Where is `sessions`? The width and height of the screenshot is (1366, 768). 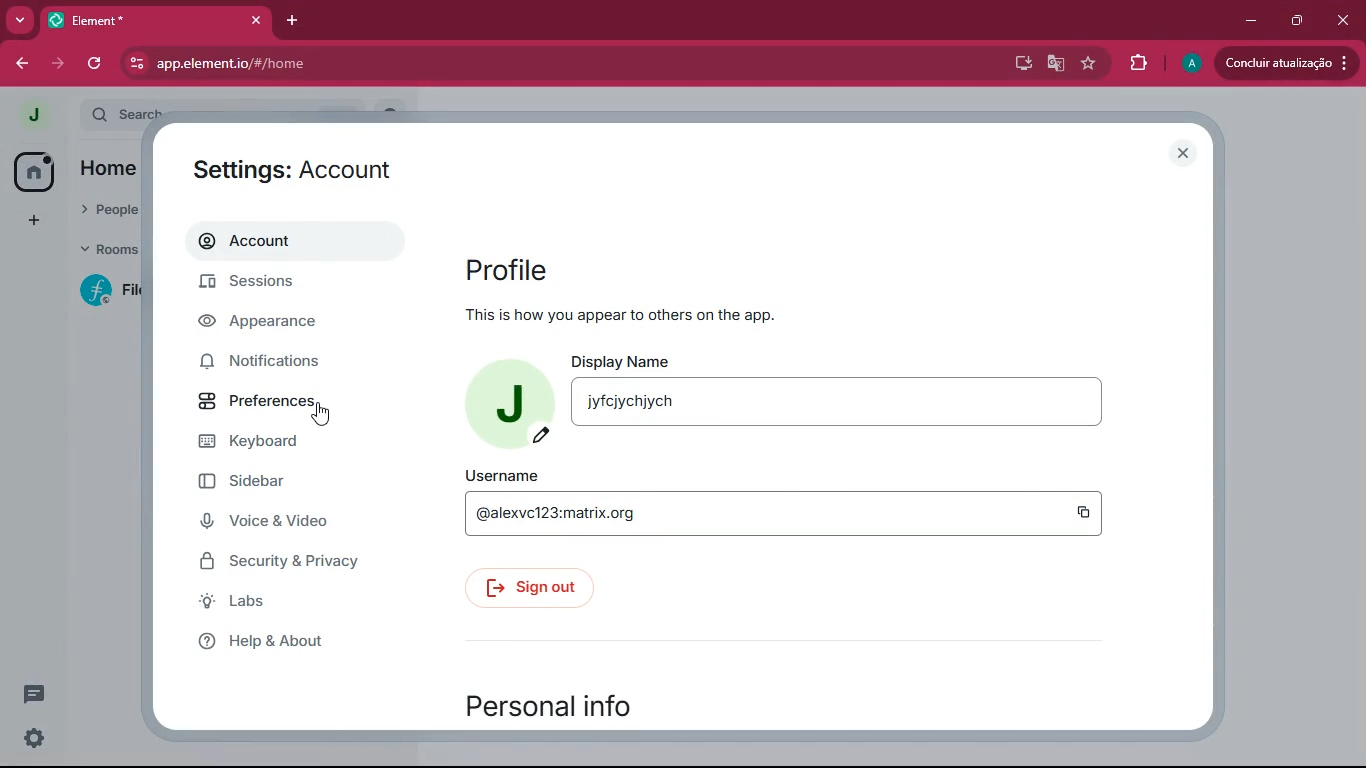 sessions is located at coordinates (282, 284).